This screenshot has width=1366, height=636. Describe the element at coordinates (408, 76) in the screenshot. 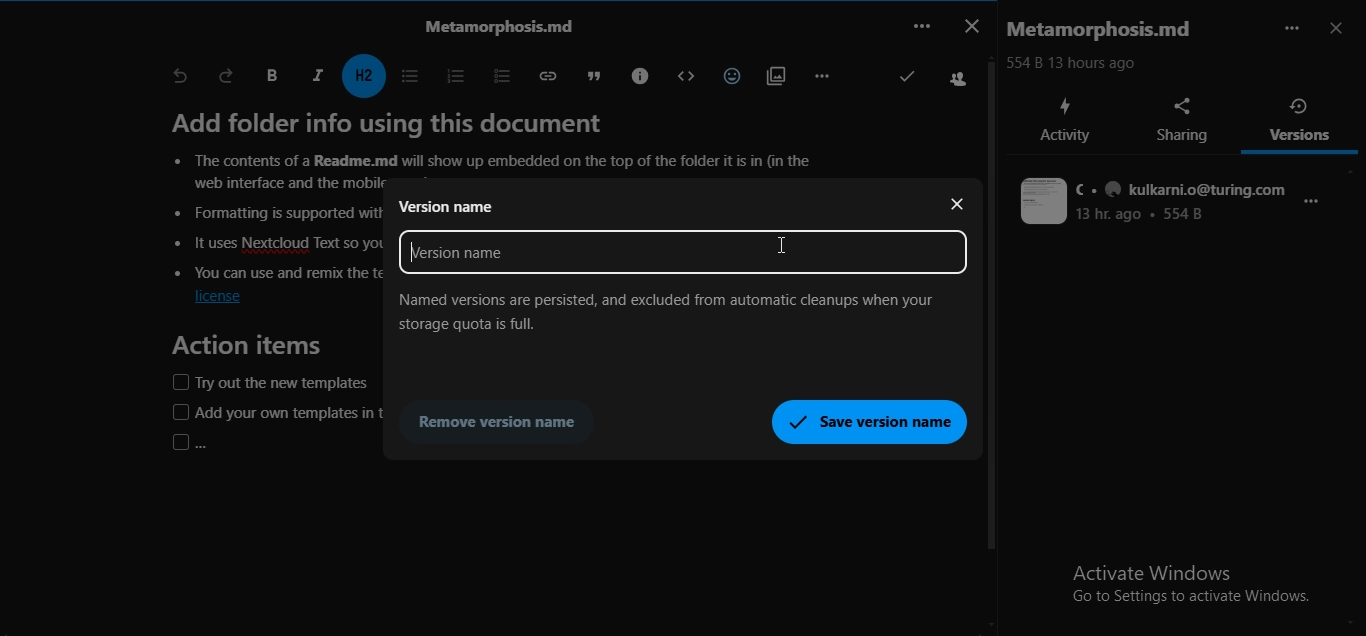

I see `unordered list` at that location.